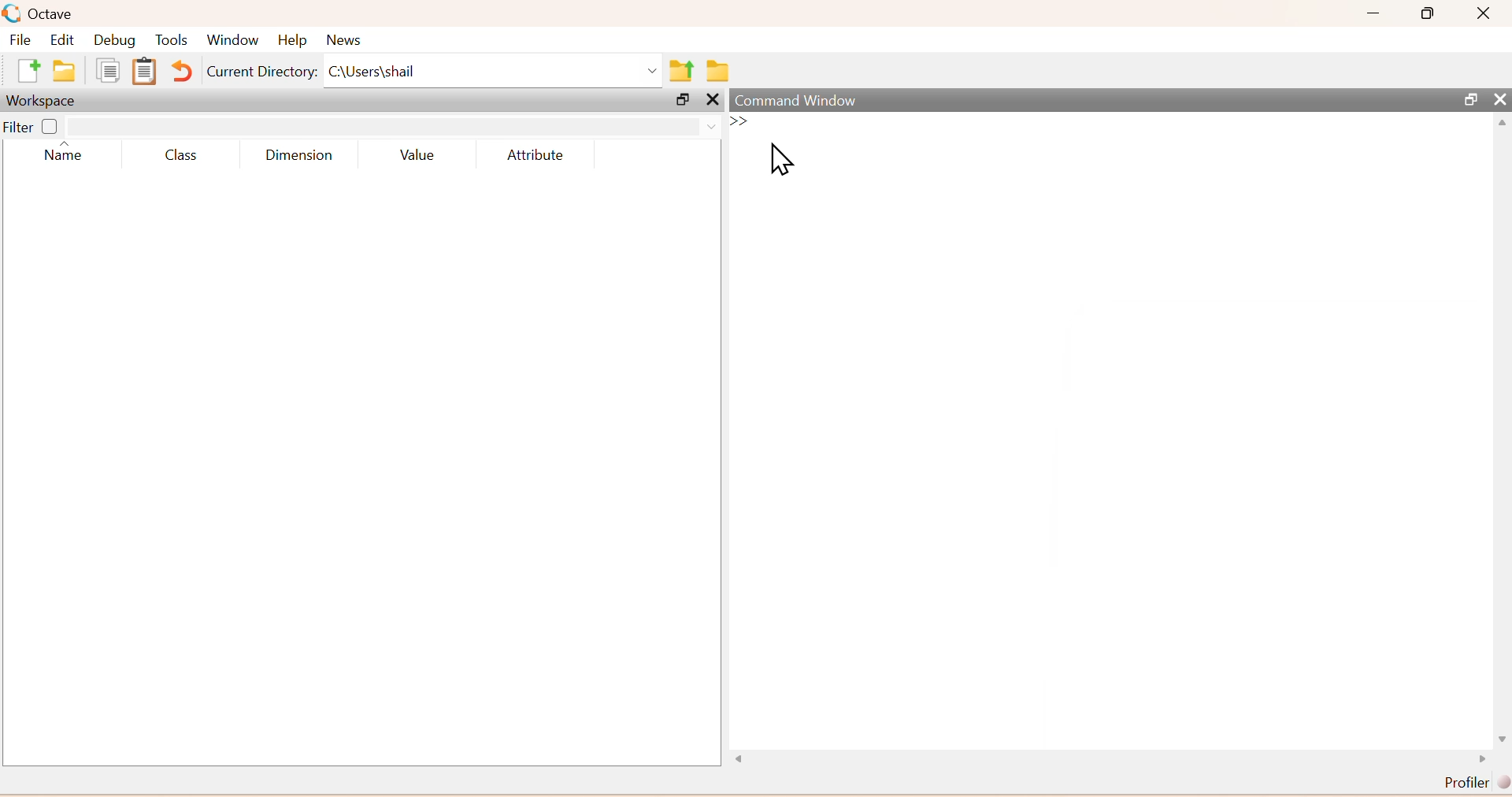 This screenshot has width=1512, height=797. What do you see at coordinates (57, 13) in the screenshot?
I see `Octave` at bounding box center [57, 13].